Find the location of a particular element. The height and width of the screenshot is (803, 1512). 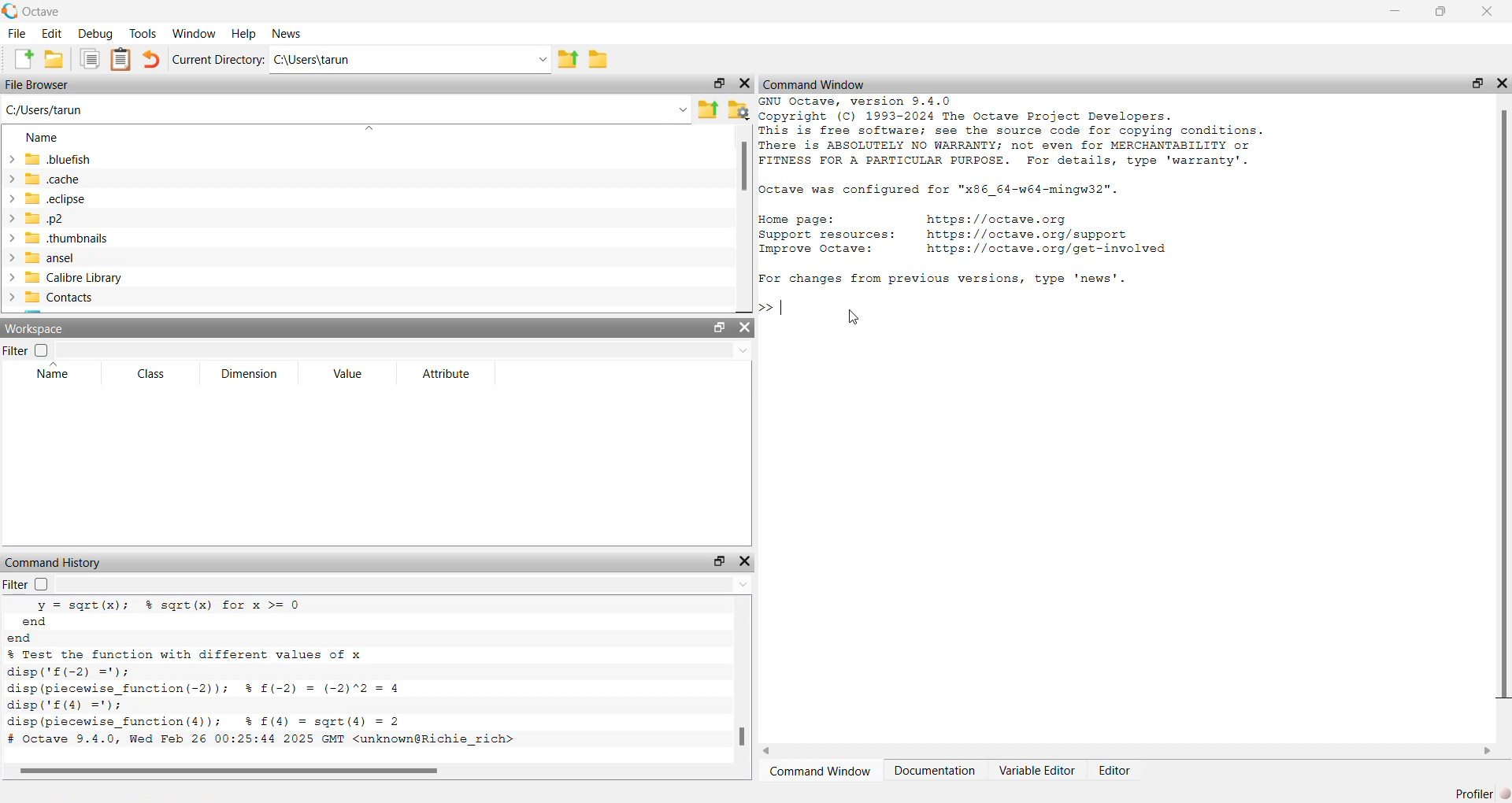

Prompt cursor is located at coordinates (774, 307).